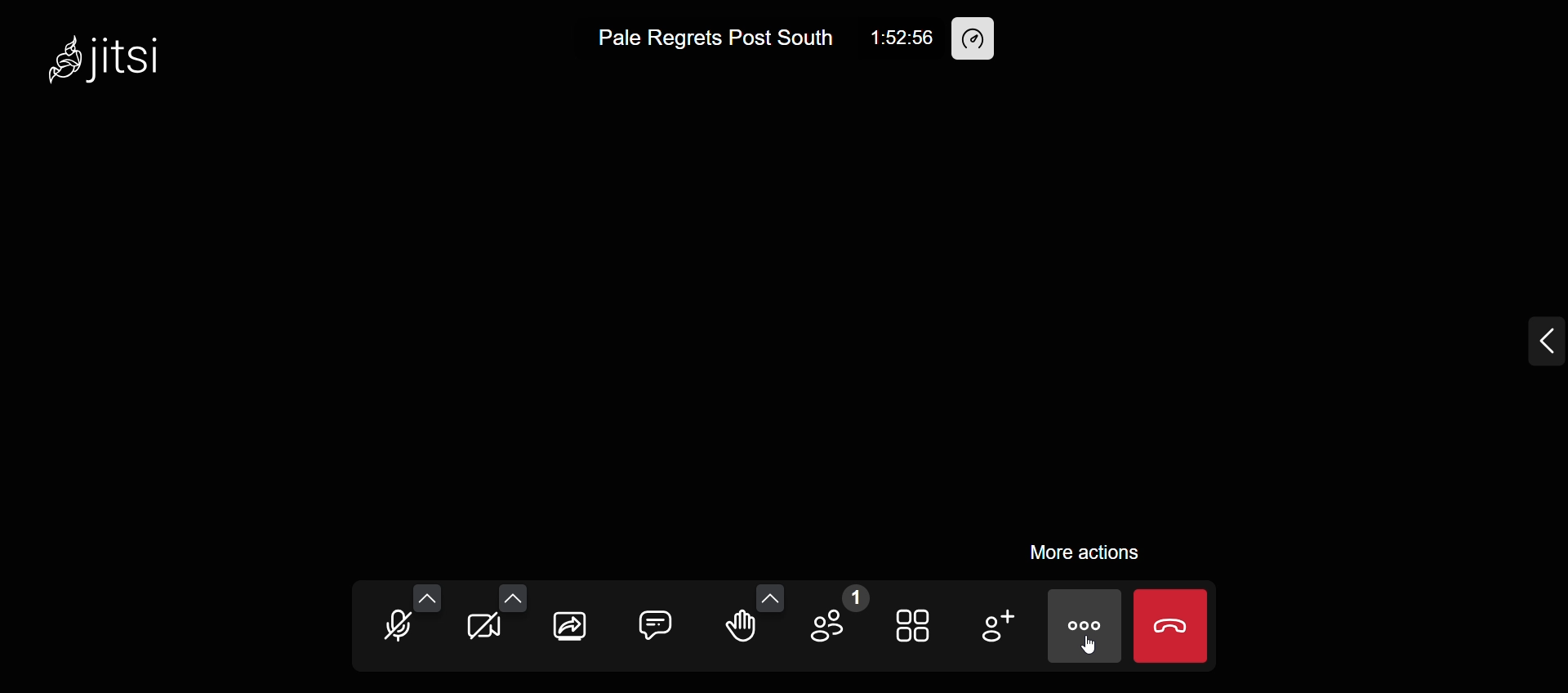 Image resolution: width=1568 pixels, height=693 pixels. What do you see at coordinates (1079, 549) in the screenshot?
I see `more actions` at bounding box center [1079, 549].